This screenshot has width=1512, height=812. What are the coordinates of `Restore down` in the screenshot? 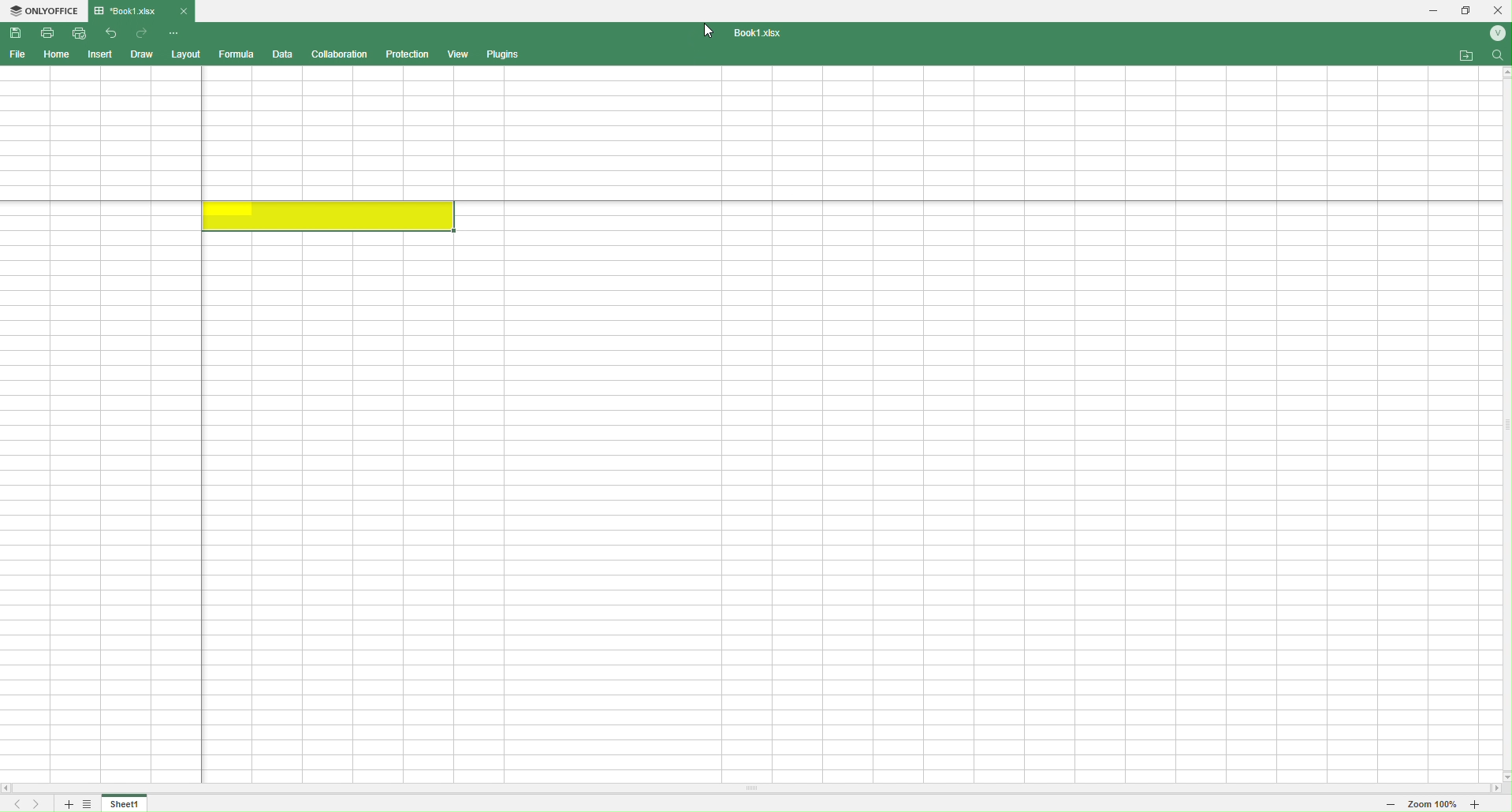 It's located at (1465, 12).